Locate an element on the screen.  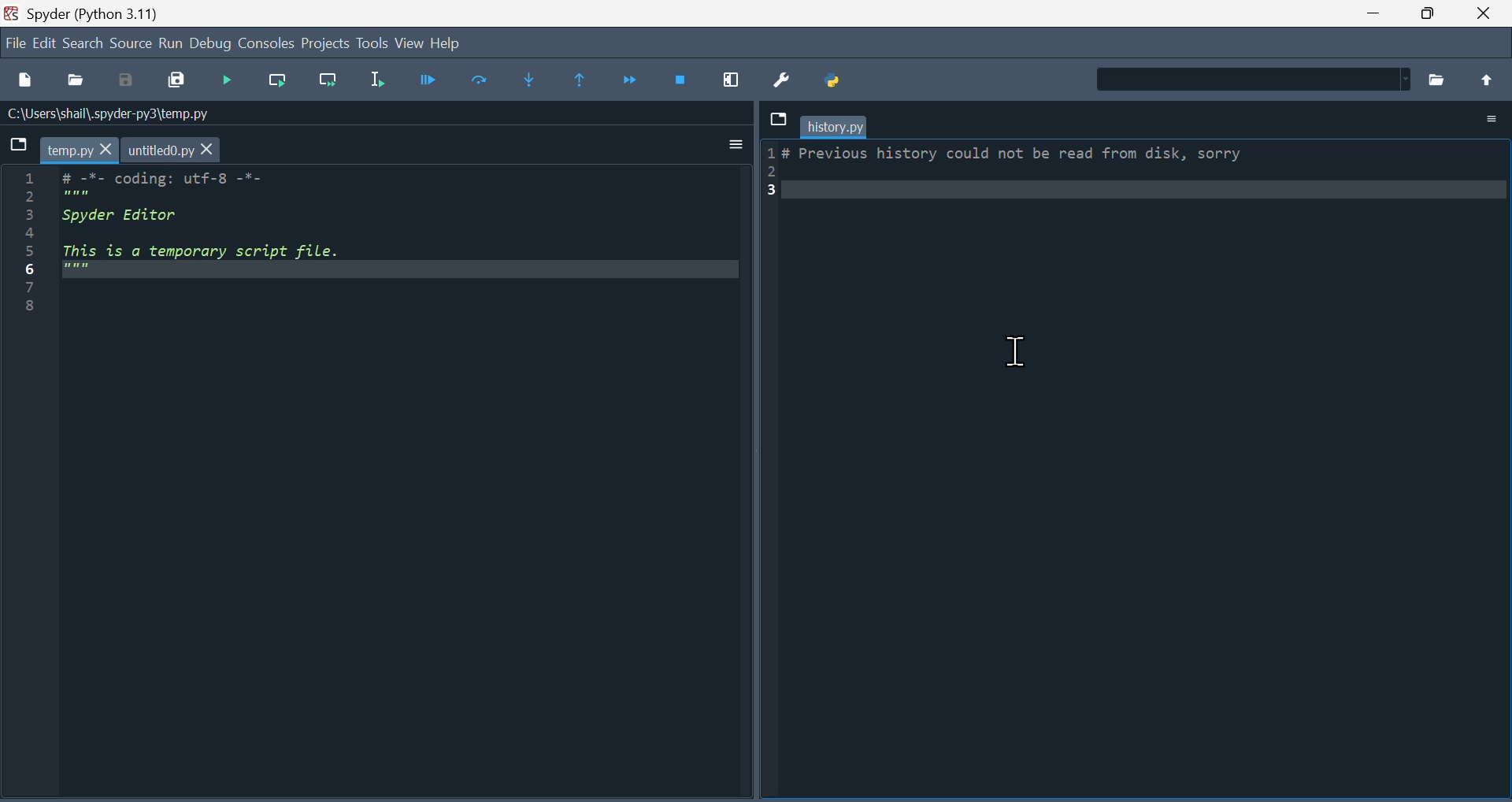
more options is located at coordinates (736, 149).